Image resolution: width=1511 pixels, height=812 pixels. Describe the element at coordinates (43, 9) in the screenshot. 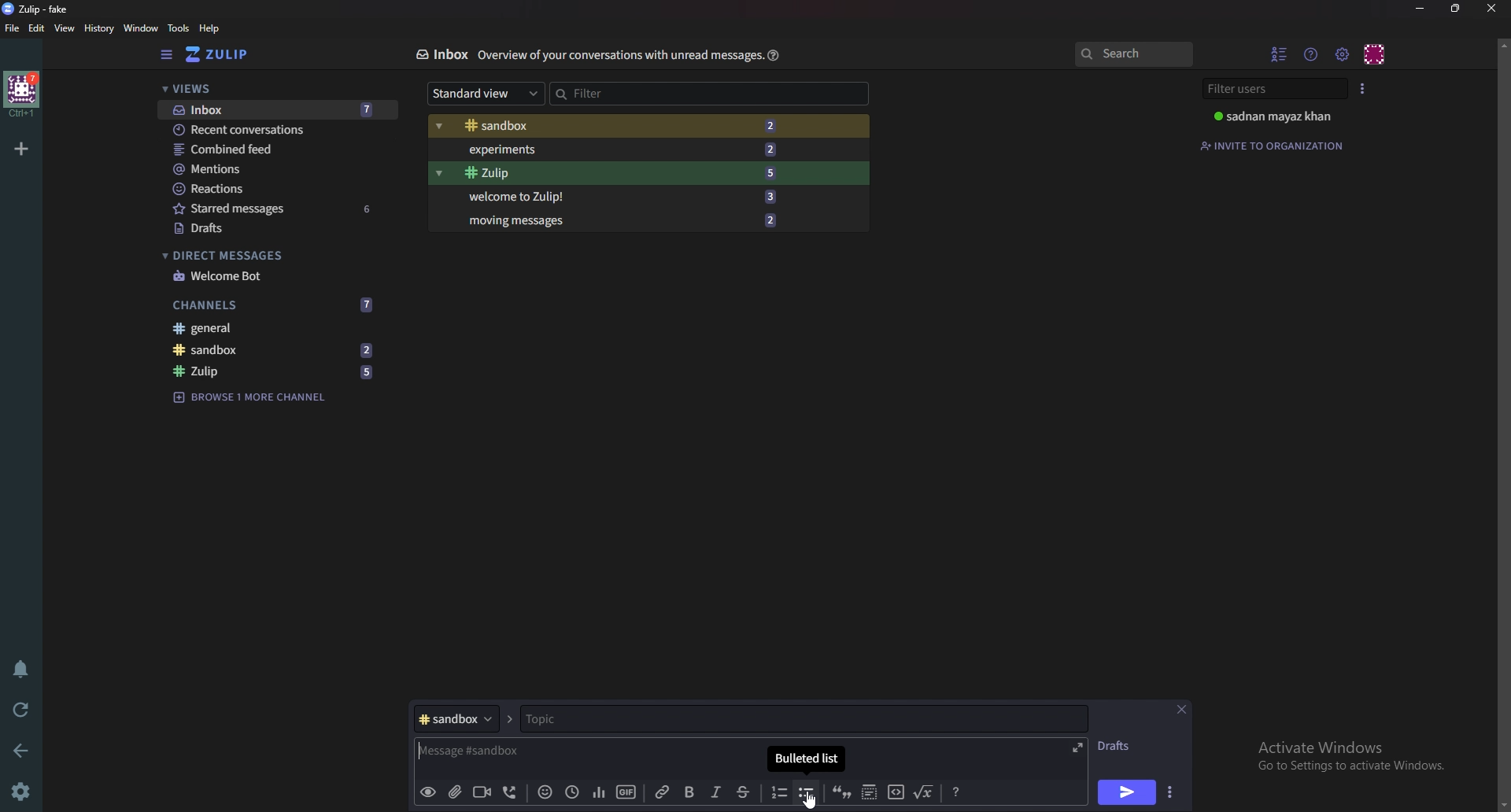

I see `title` at that location.